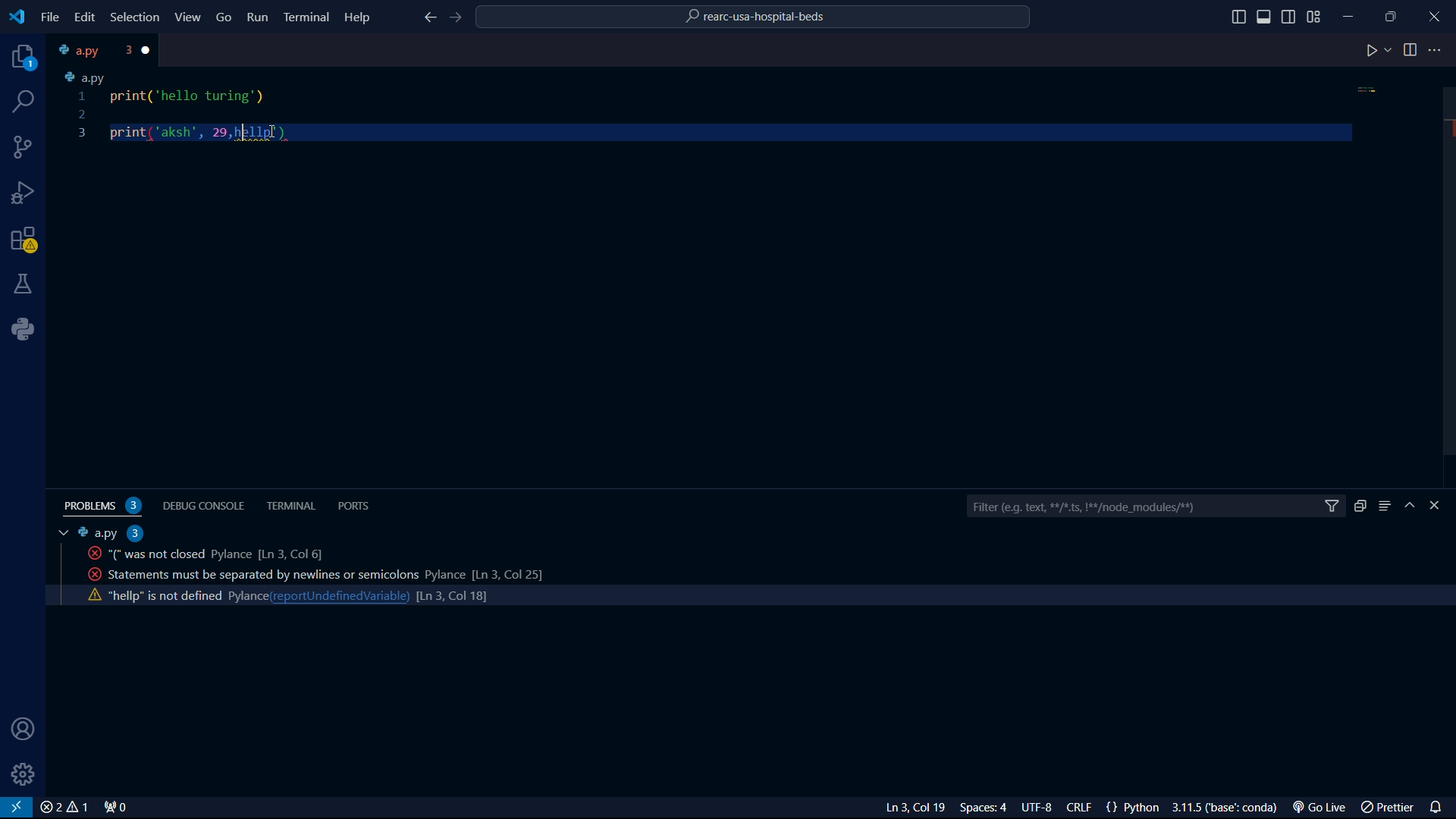 This screenshot has width=1456, height=819. What do you see at coordinates (27, 190) in the screenshot?
I see `bug` at bounding box center [27, 190].